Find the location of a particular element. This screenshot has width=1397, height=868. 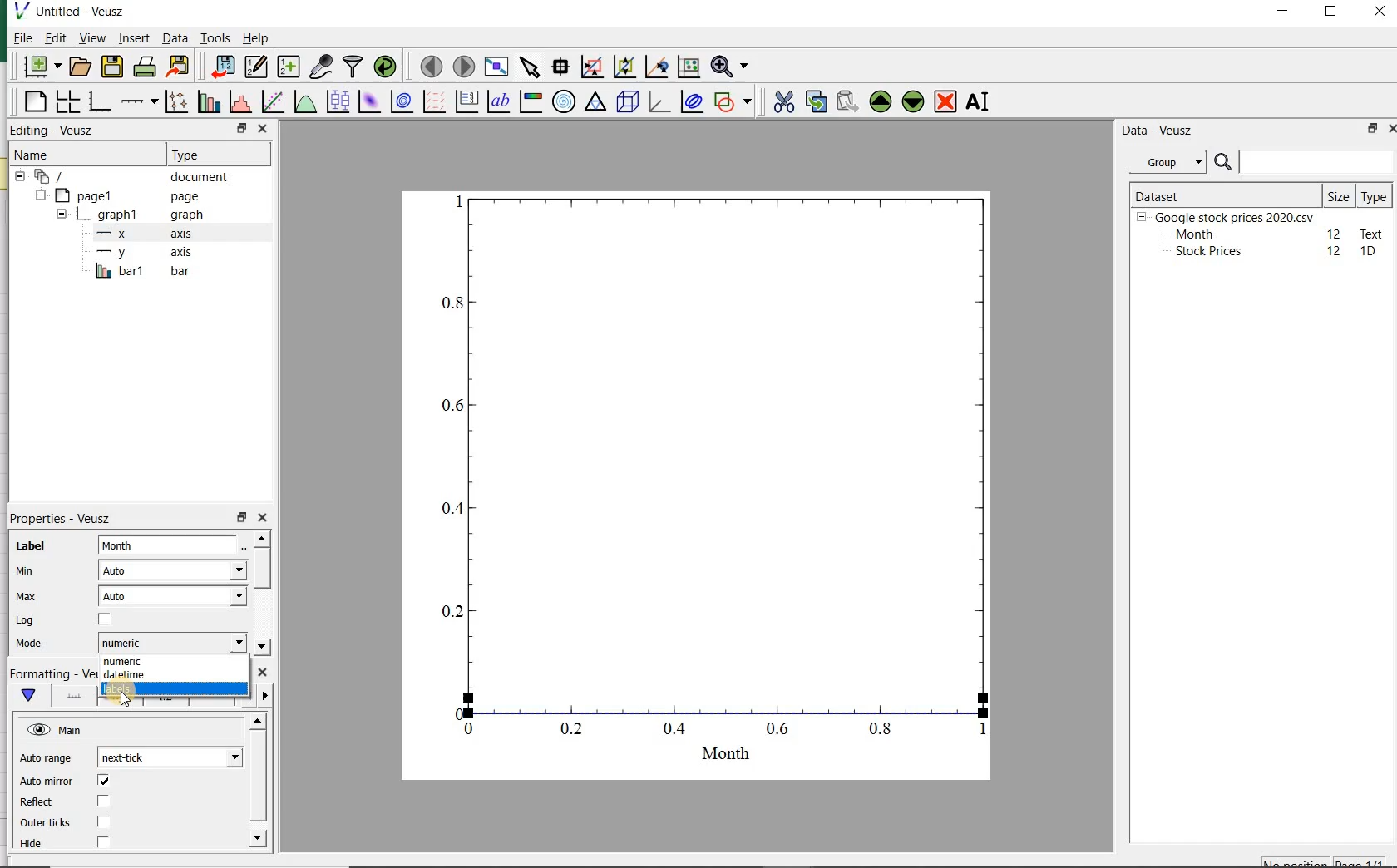

Outer ticks is located at coordinates (45, 823).